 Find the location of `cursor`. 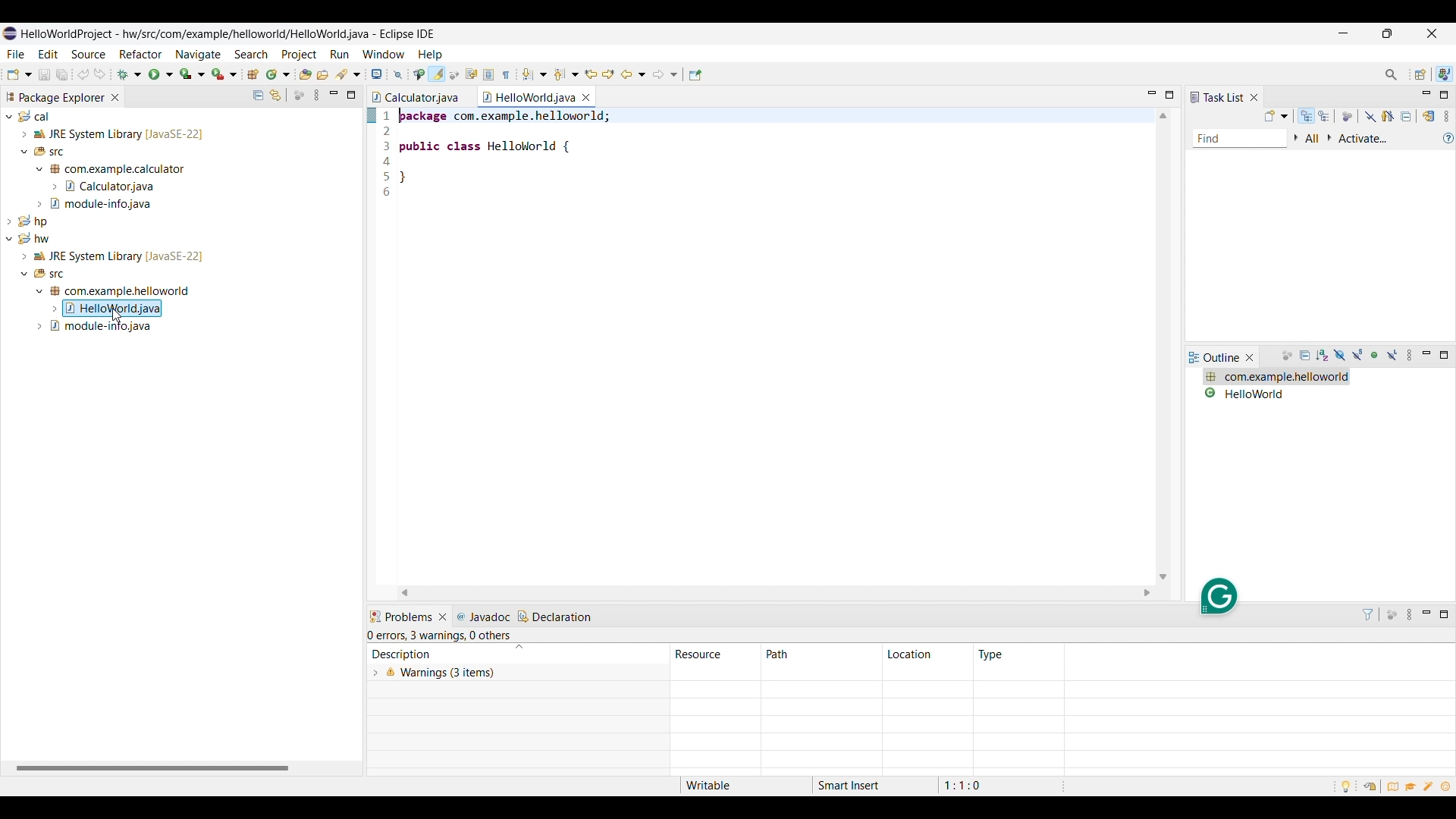

cursor is located at coordinates (121, 316).